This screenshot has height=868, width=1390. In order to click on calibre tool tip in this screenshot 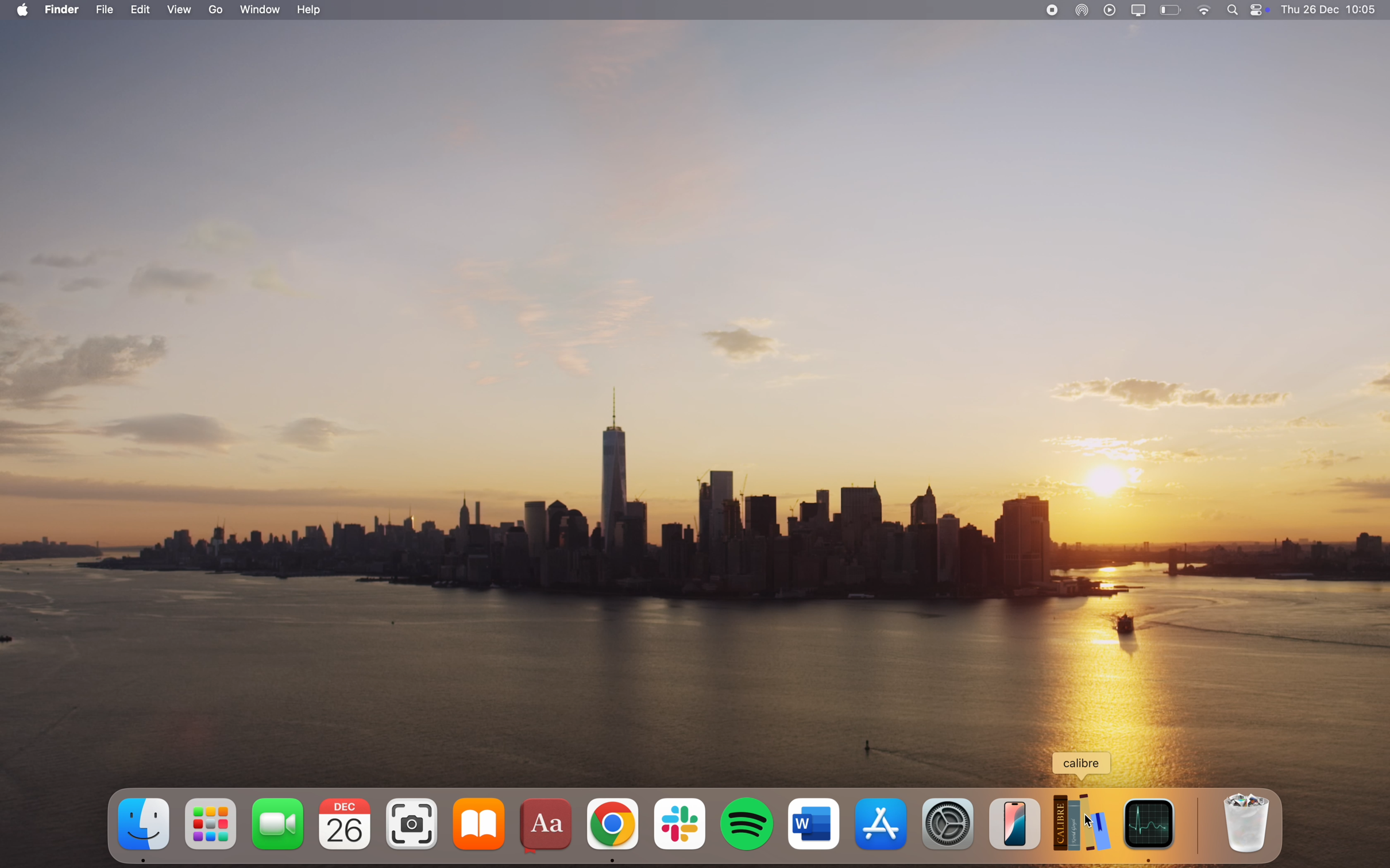, I will do `click(1086, 766)`.